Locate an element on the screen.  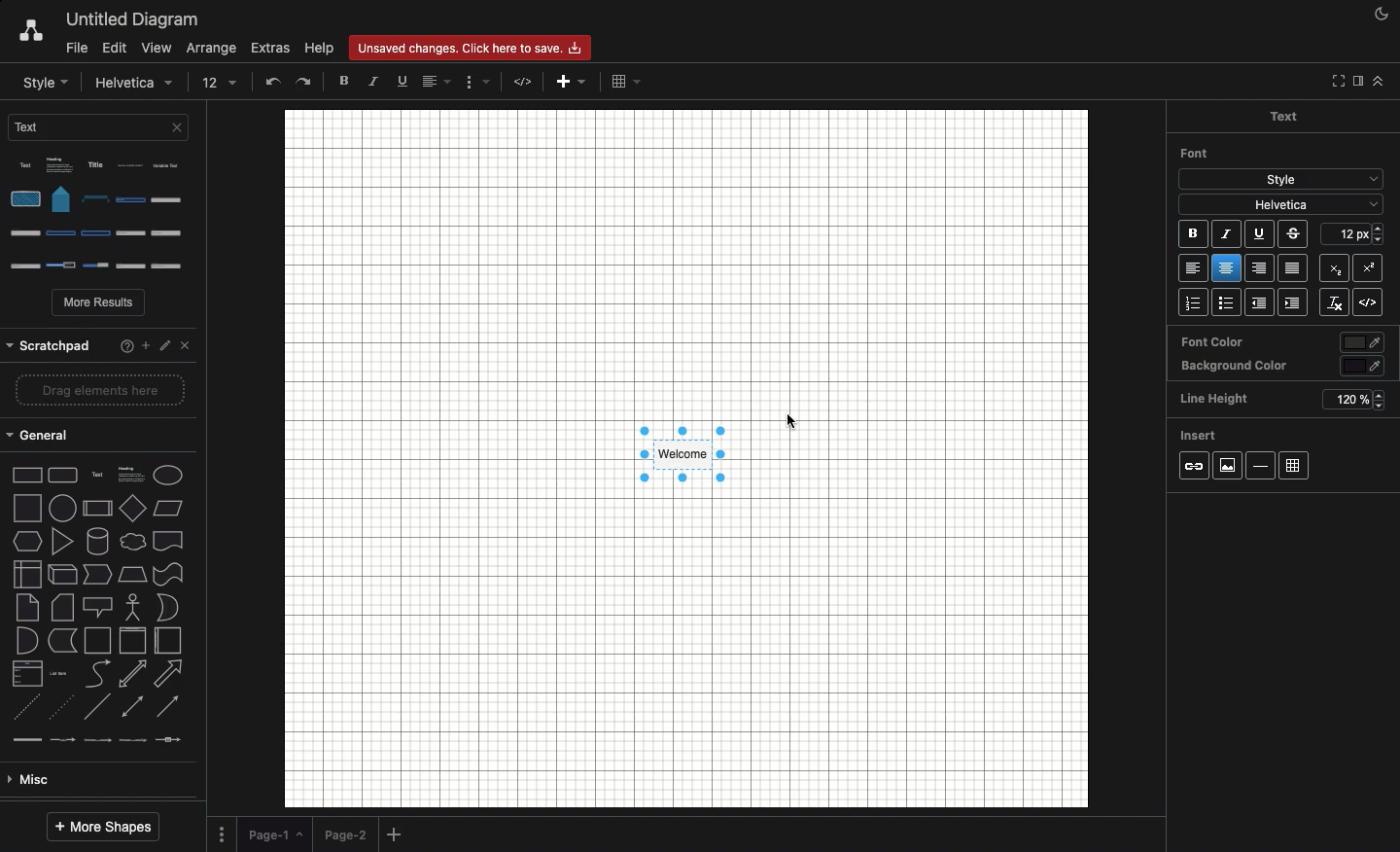
grid is located at coordinates (1300, 462).